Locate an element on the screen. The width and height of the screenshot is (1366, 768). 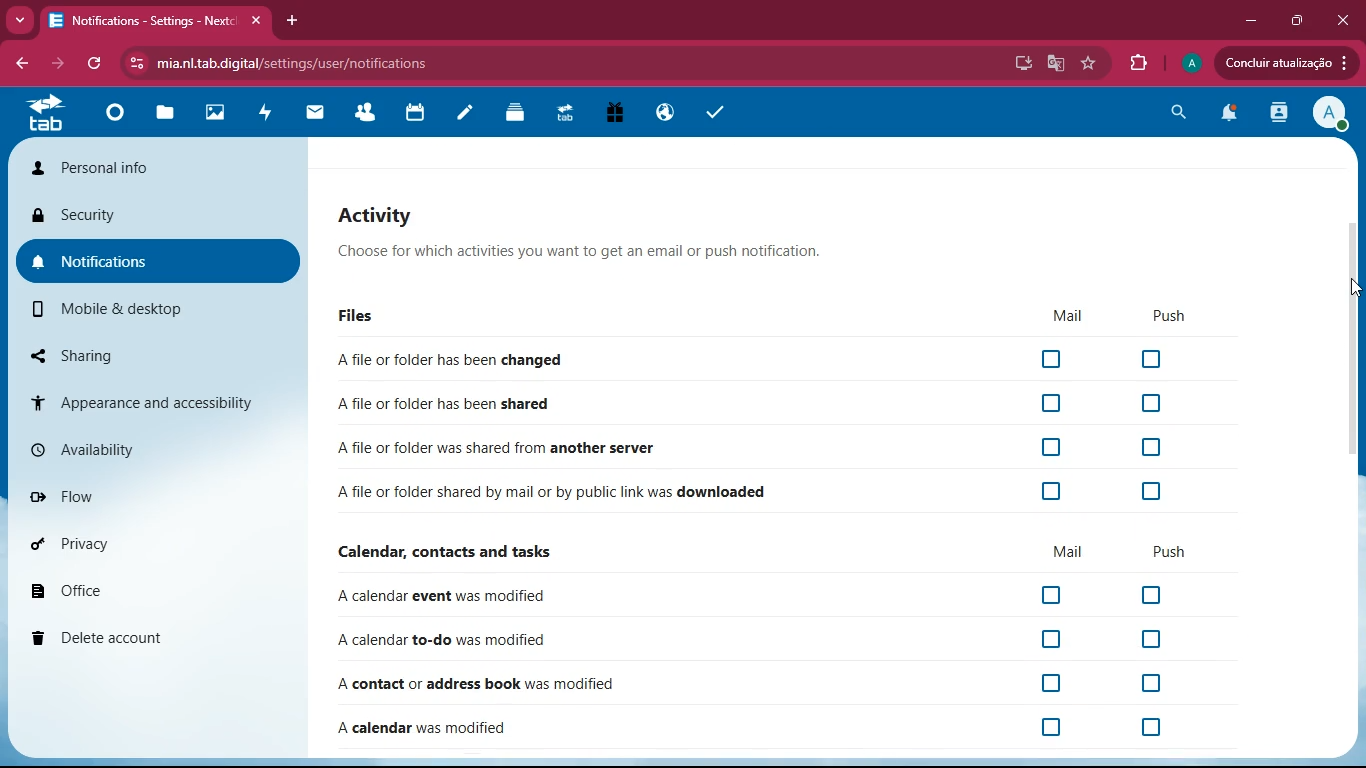
layers is located at coordinates (516, 117).